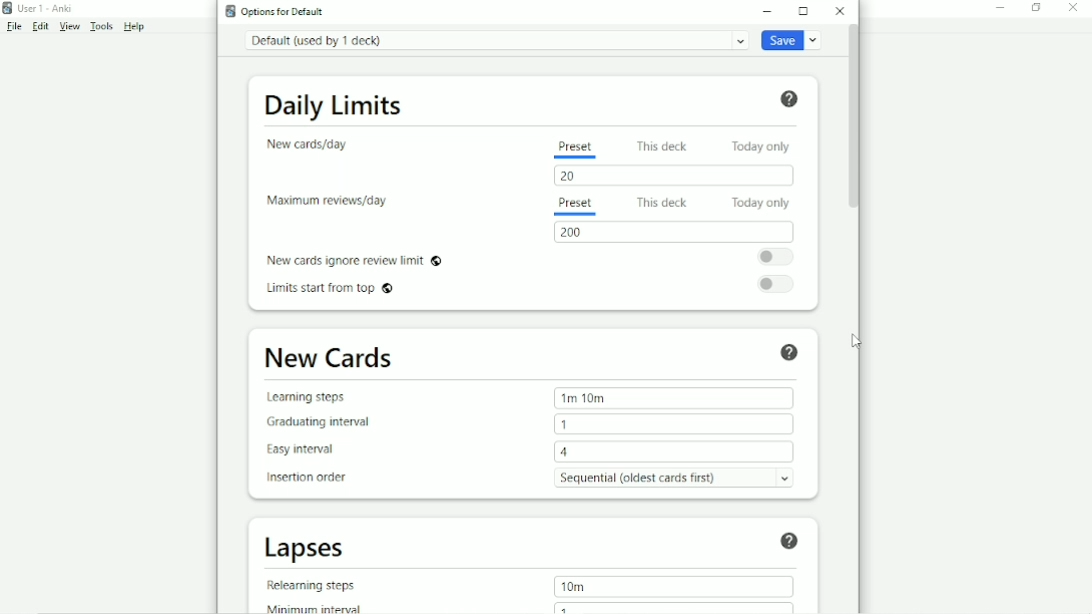 Image resolution: width=1092 pixels, height=614 pixels. I want to click on Help, so click(792, 352).